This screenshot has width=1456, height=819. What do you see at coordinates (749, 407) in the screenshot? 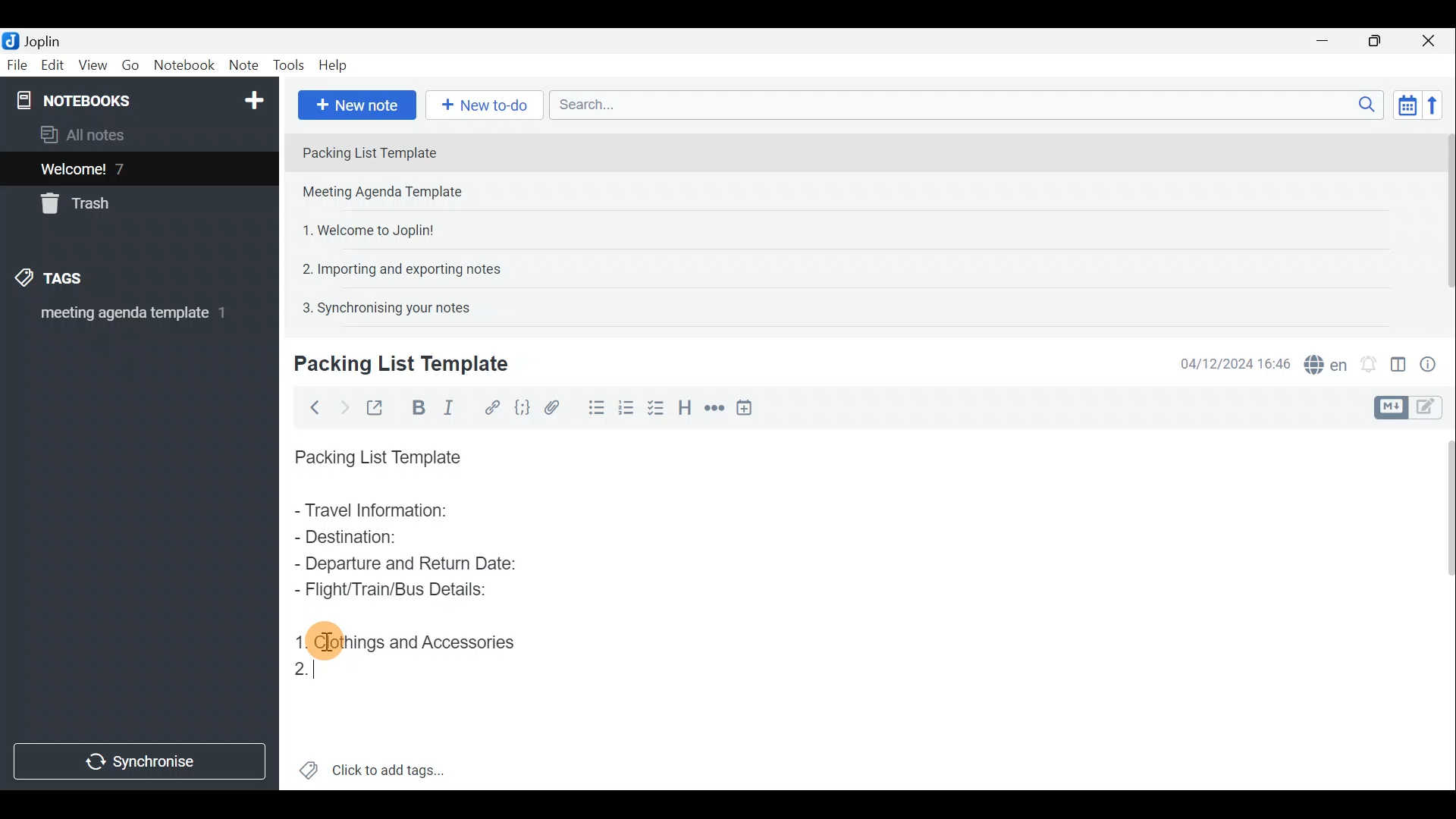
I see `Insert time` at bounding box center [749, 407].